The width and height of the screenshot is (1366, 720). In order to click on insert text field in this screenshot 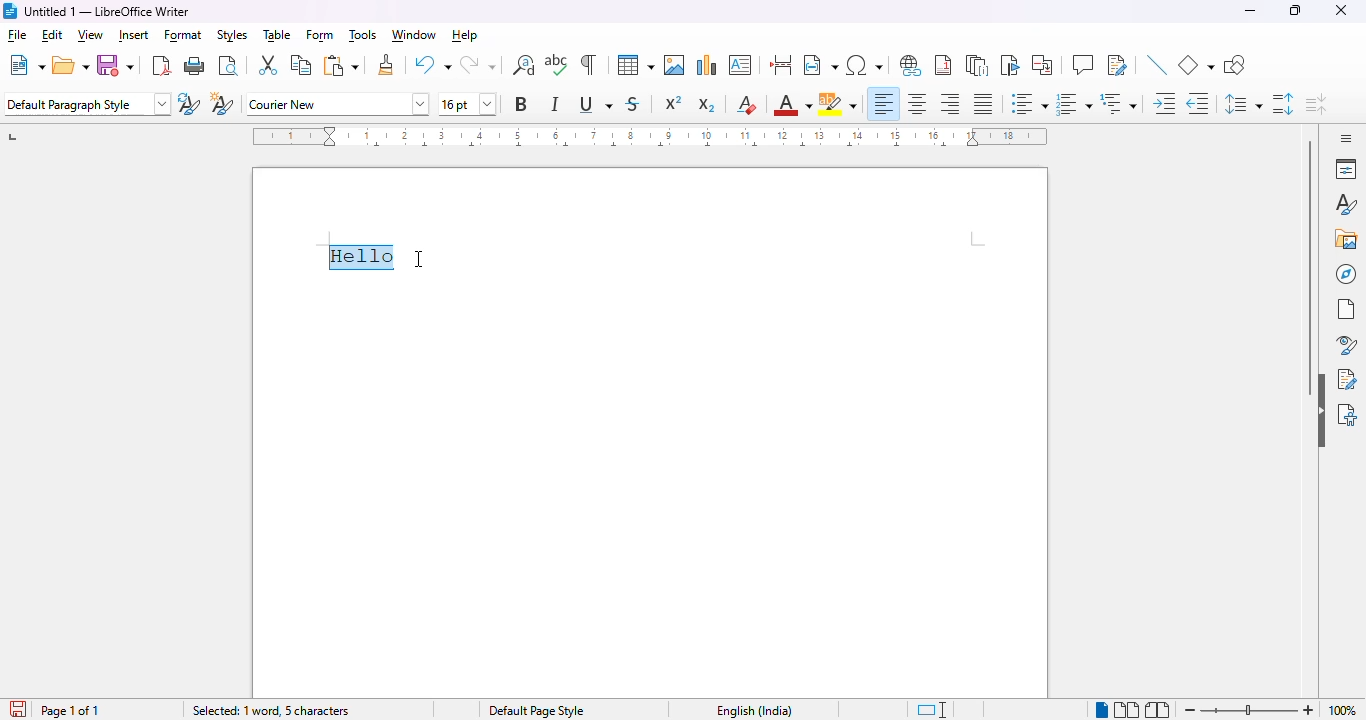, I will do `click(820, 64)`.